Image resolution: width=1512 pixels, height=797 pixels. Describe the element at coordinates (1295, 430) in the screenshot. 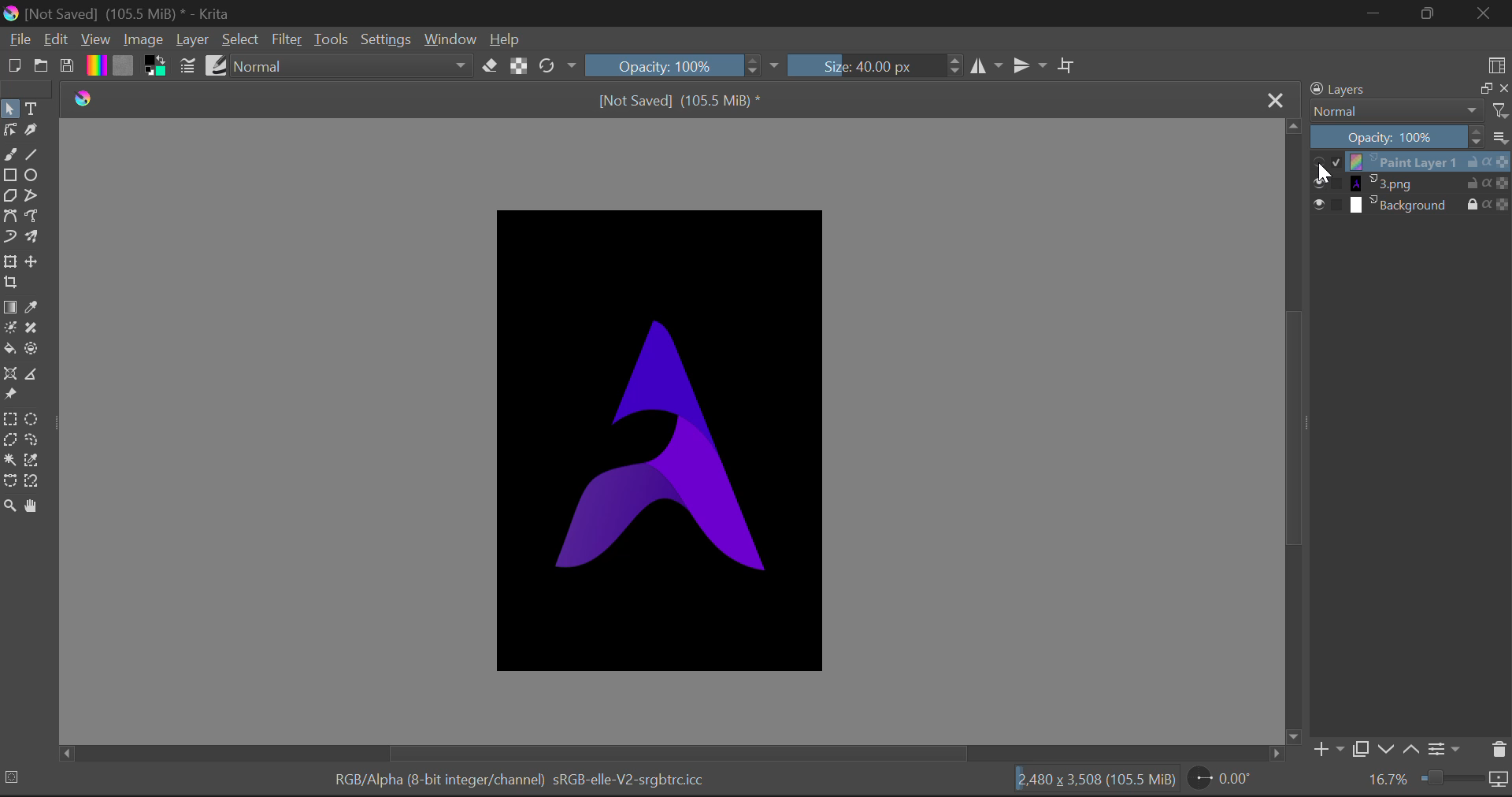

I see `Scroll Bar` at that location.